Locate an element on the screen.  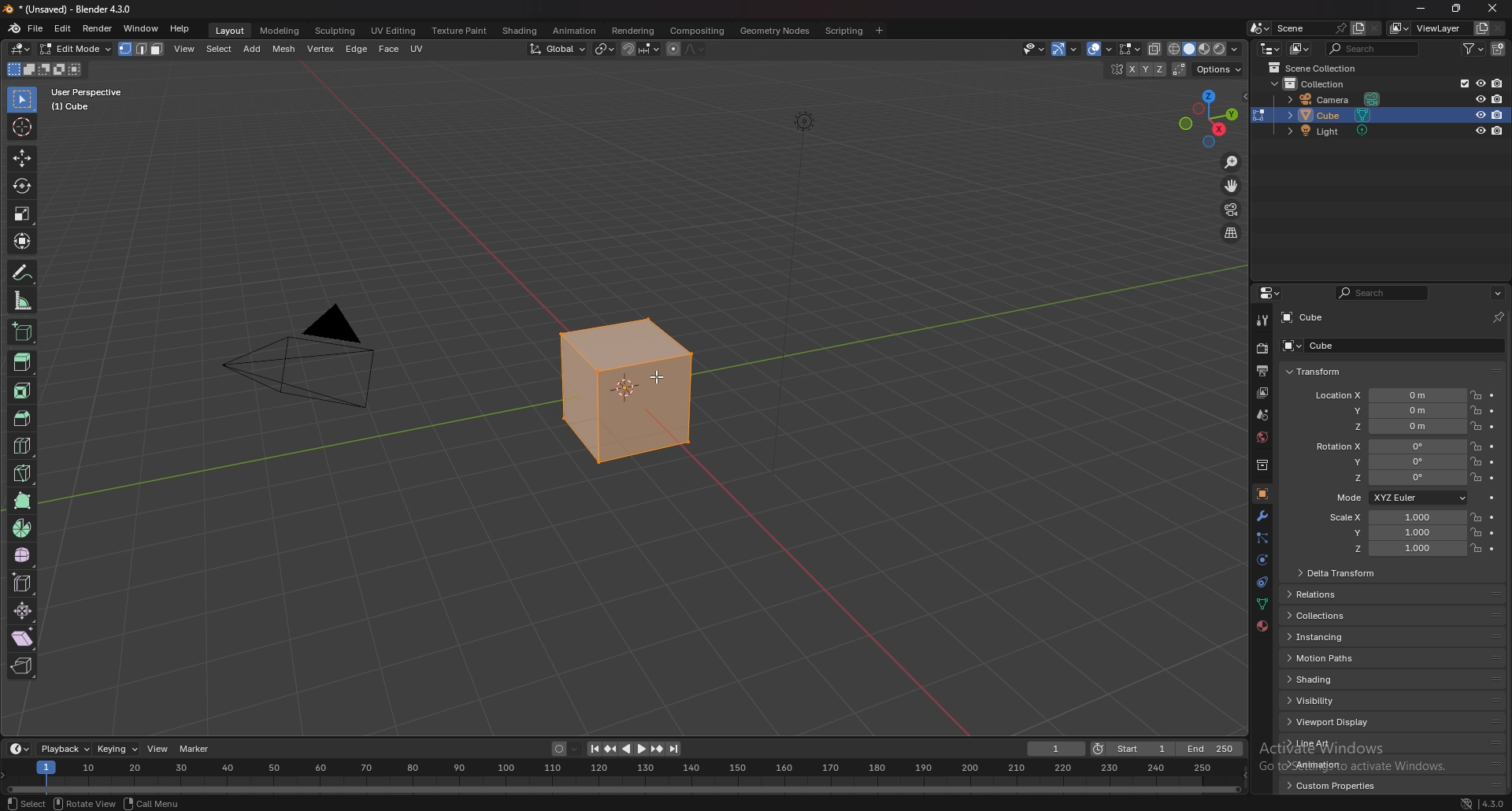
marker is located at coordinates (197, 749).